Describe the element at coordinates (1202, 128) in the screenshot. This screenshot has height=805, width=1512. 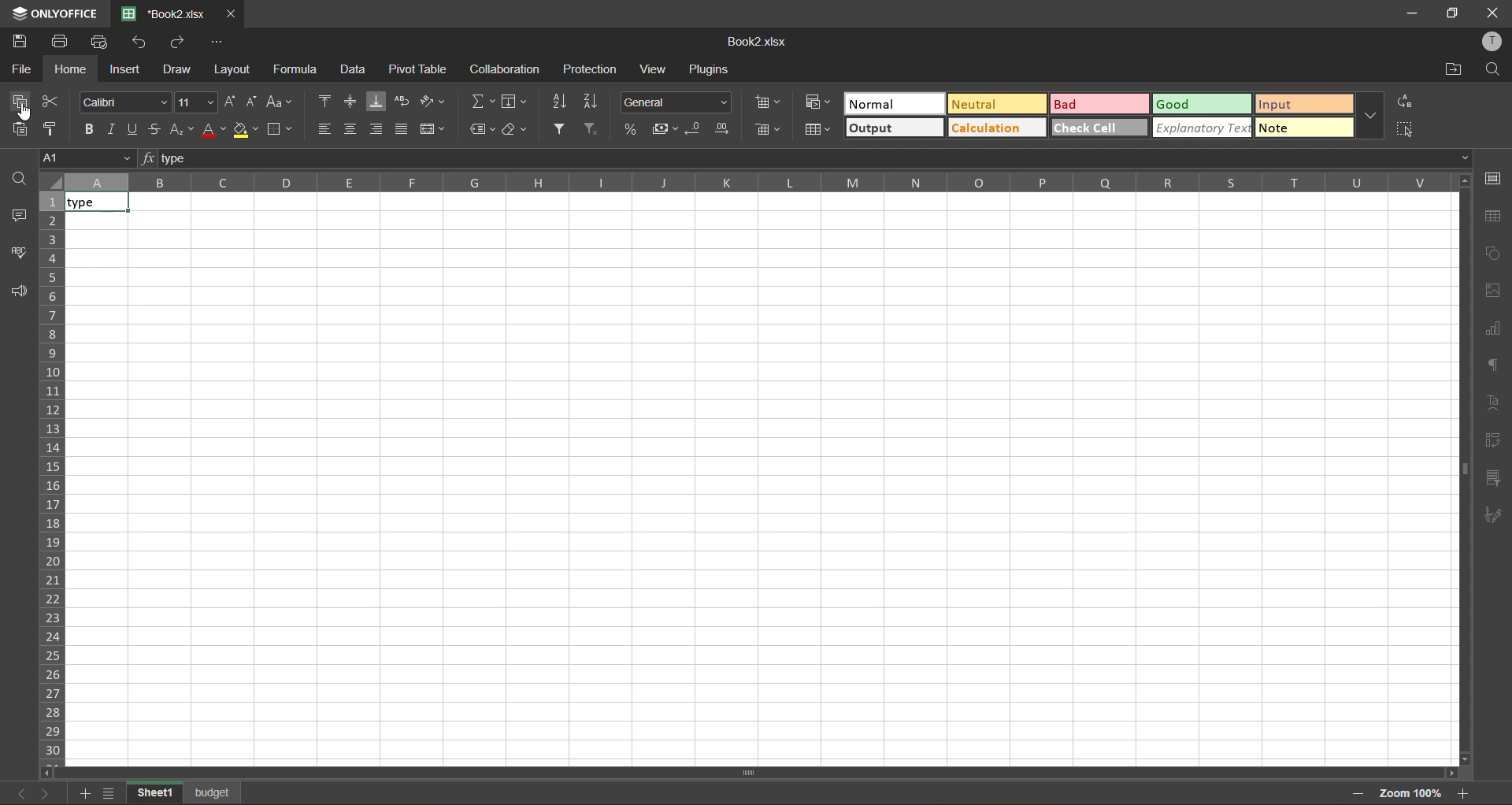
I see `explanatory text` at that location.